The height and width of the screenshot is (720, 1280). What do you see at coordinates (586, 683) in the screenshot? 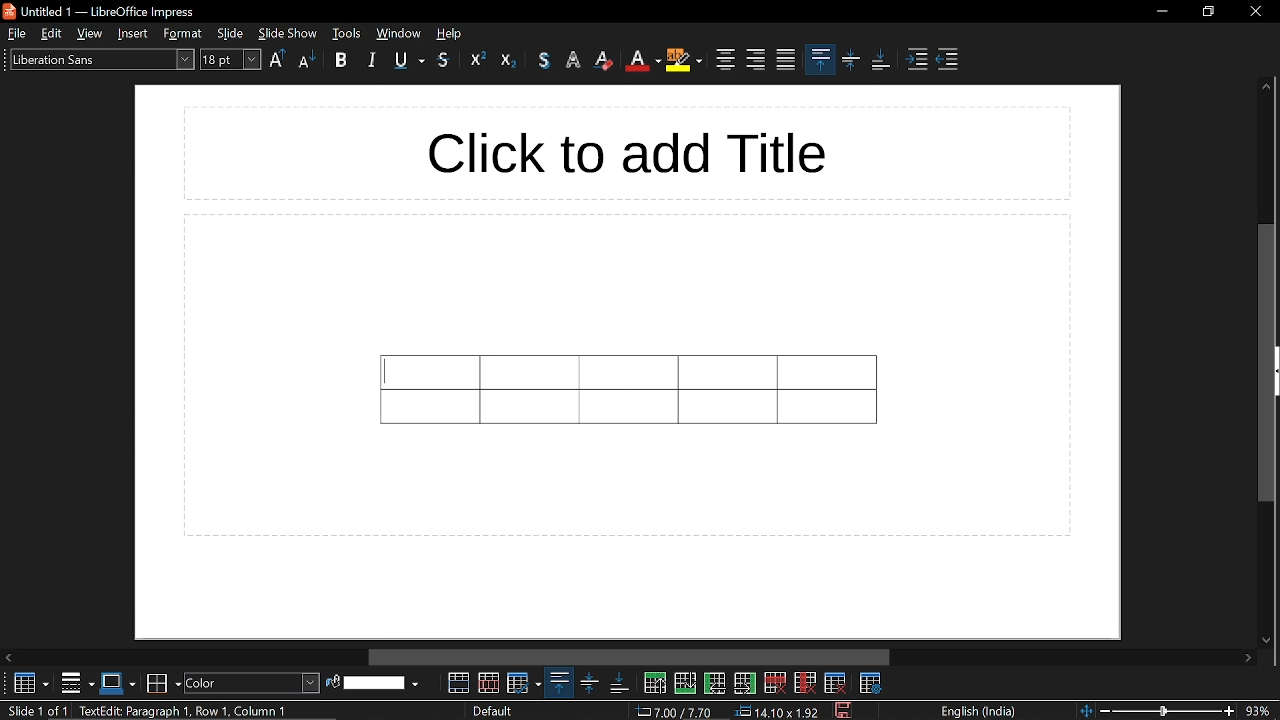
I see `center vertically` at bounding box center [586, 683].